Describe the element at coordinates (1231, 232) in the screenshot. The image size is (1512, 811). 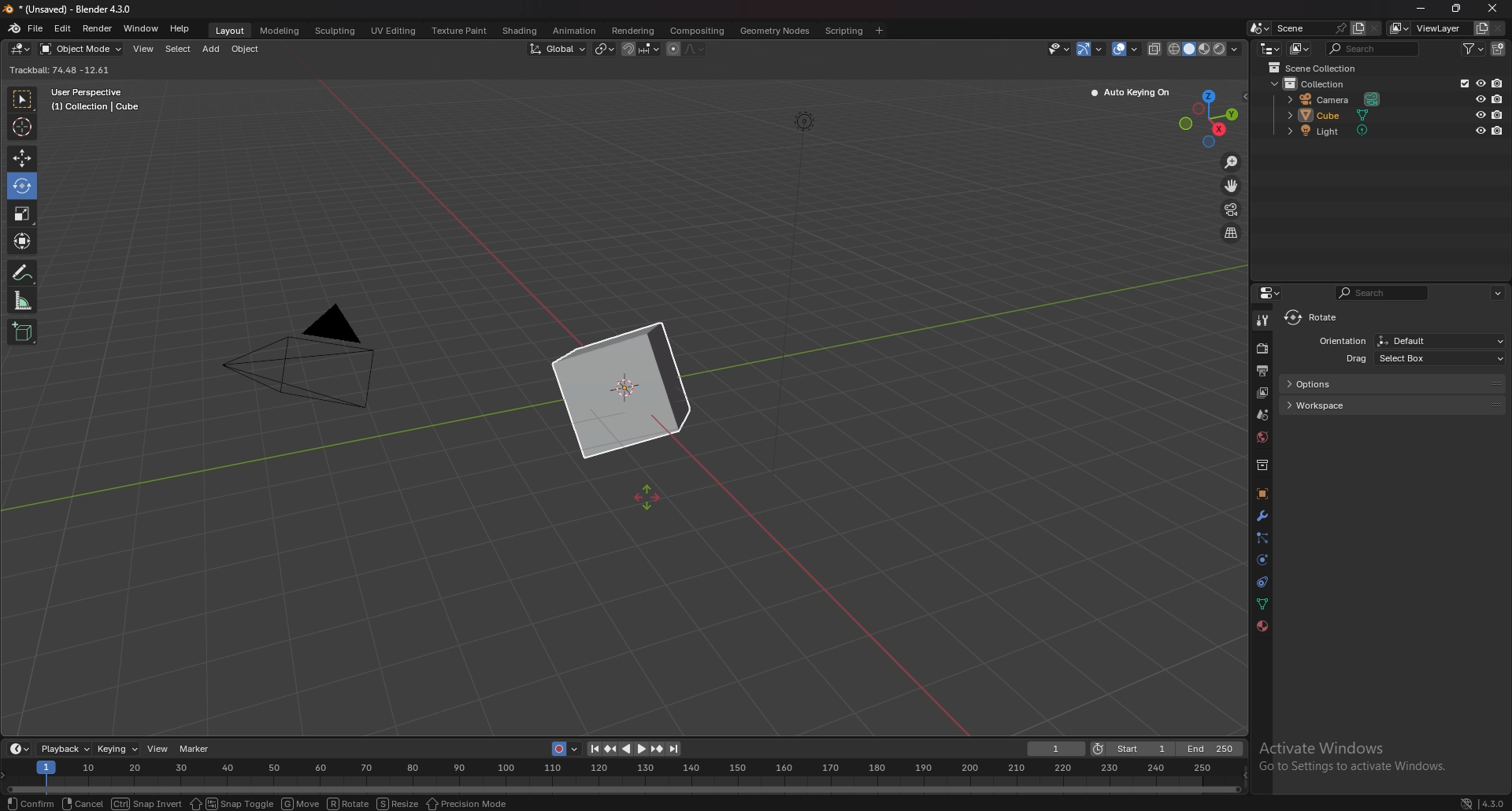
I see `perspective/orthographic` at that location.